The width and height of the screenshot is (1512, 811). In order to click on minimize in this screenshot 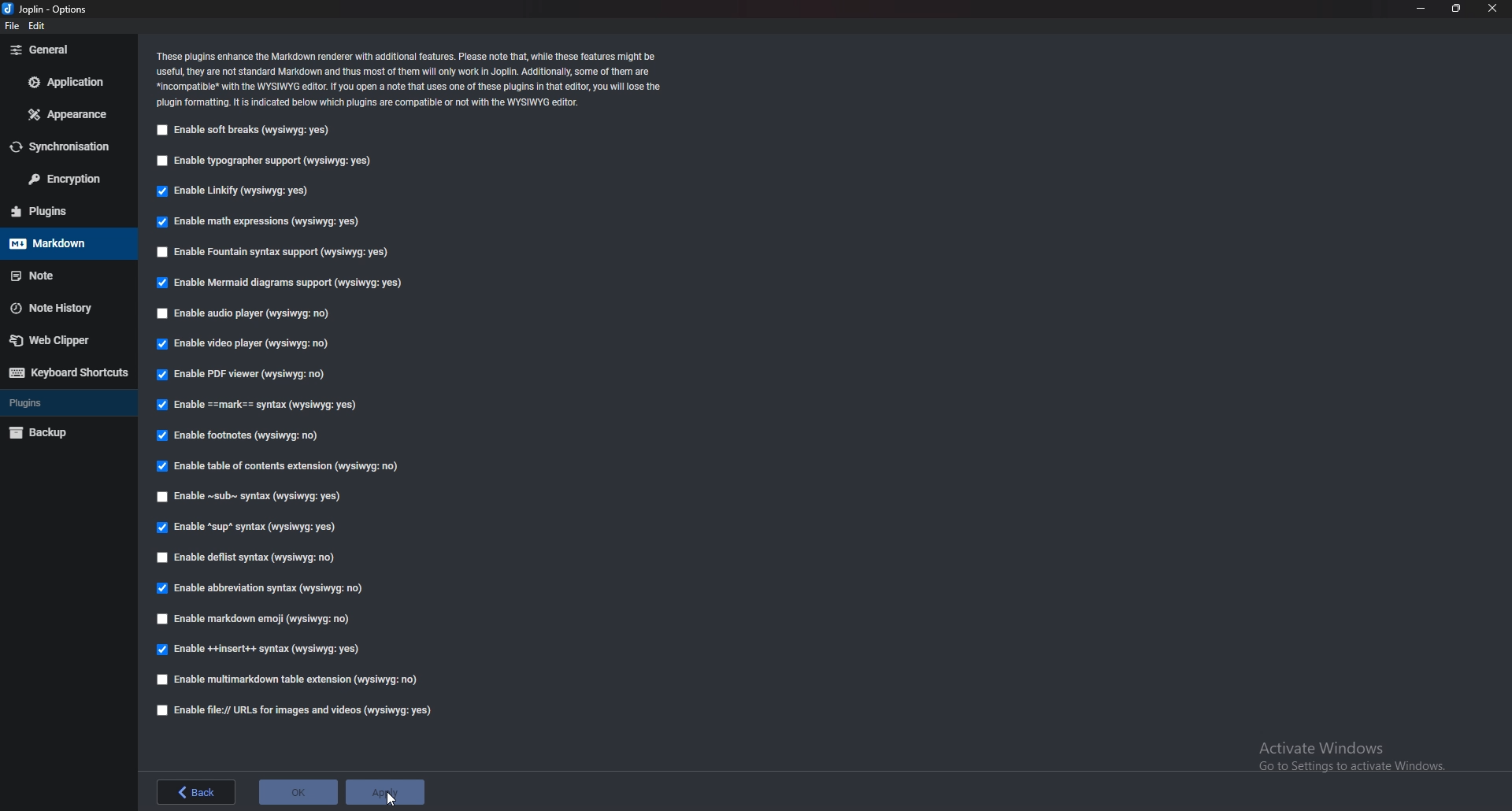, I will do `click(1420, 9)`.